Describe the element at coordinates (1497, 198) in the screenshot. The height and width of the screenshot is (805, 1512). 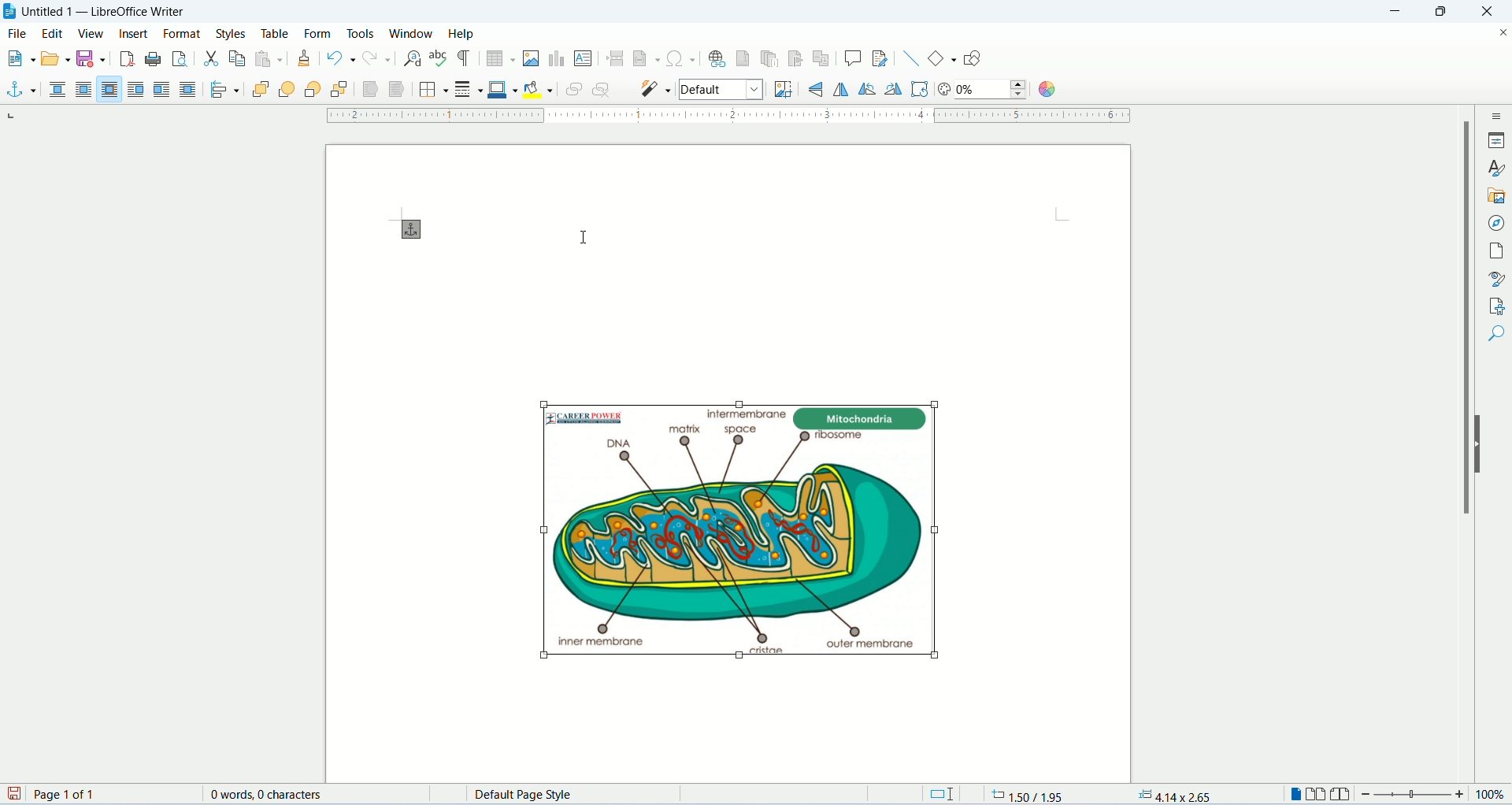
I see `gallery` at that location.